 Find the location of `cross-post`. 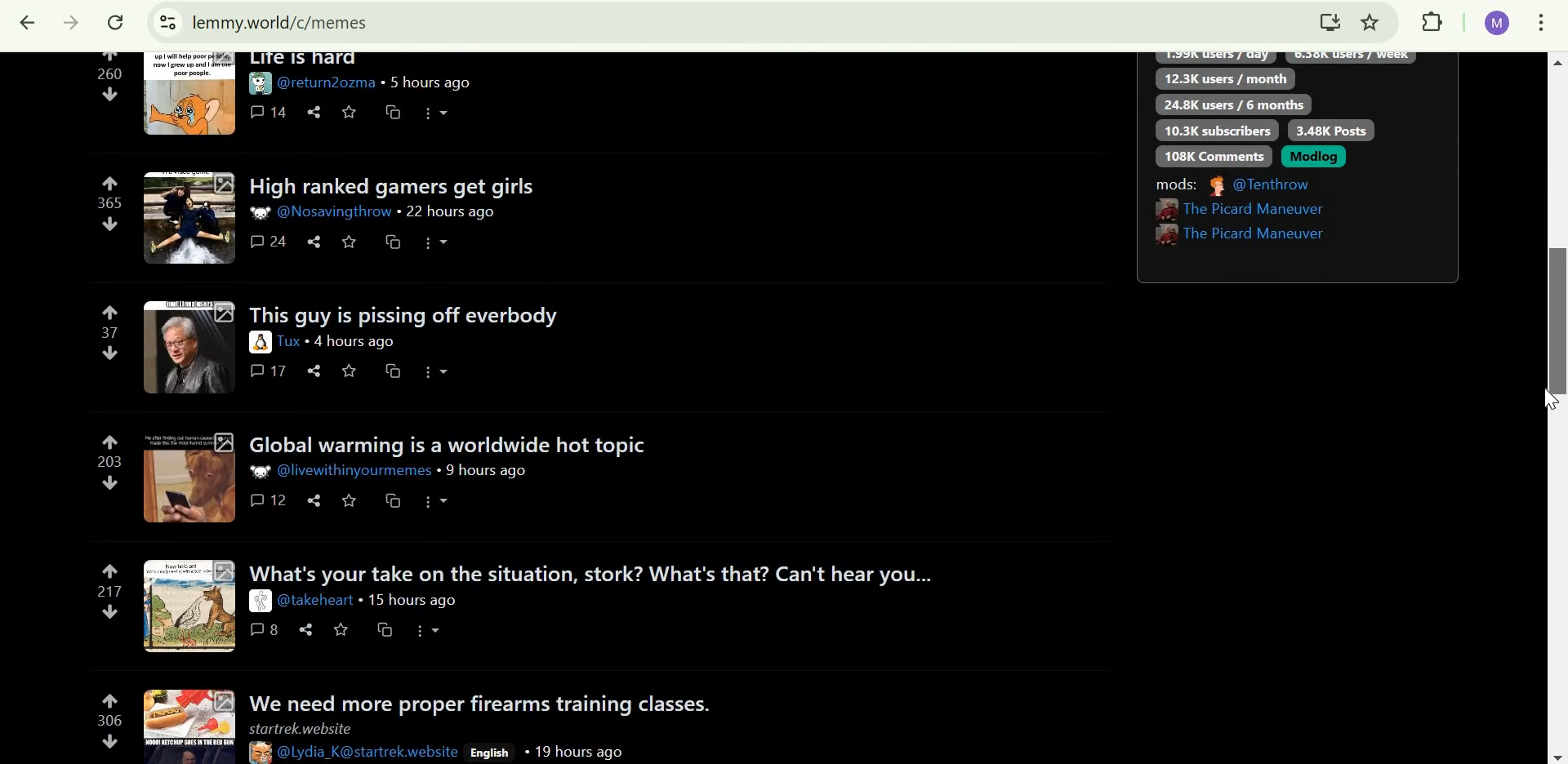

cross-post is located at coordinates (395, 241).